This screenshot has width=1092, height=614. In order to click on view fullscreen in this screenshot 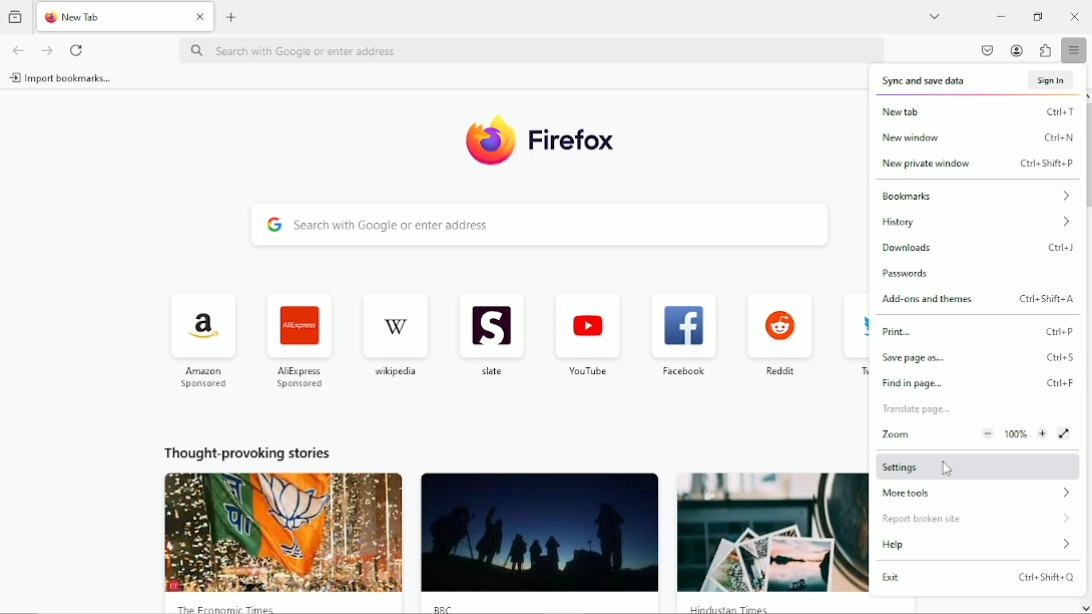, I will do `click(1064, 434)`.